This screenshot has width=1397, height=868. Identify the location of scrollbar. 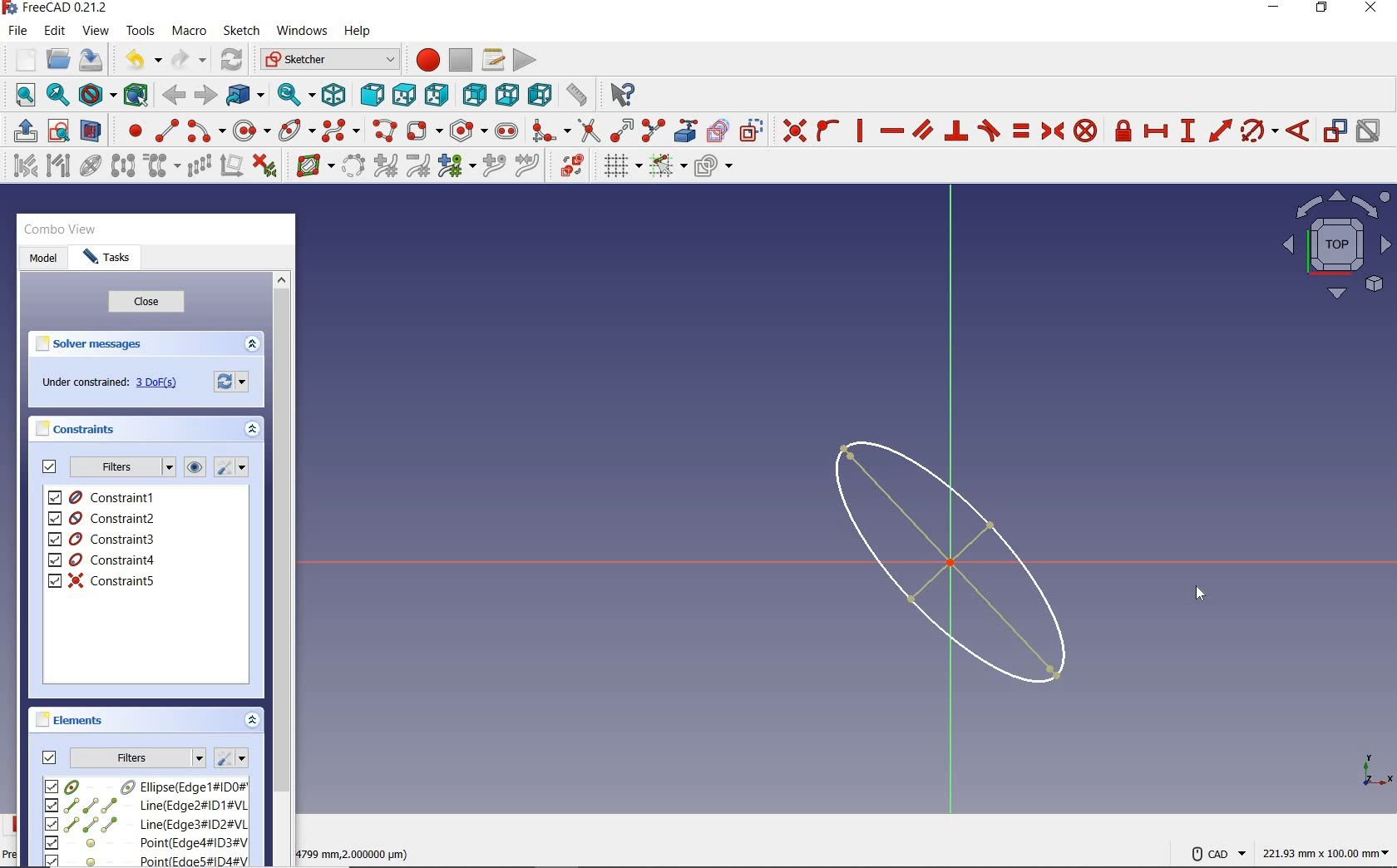
(281, 567).